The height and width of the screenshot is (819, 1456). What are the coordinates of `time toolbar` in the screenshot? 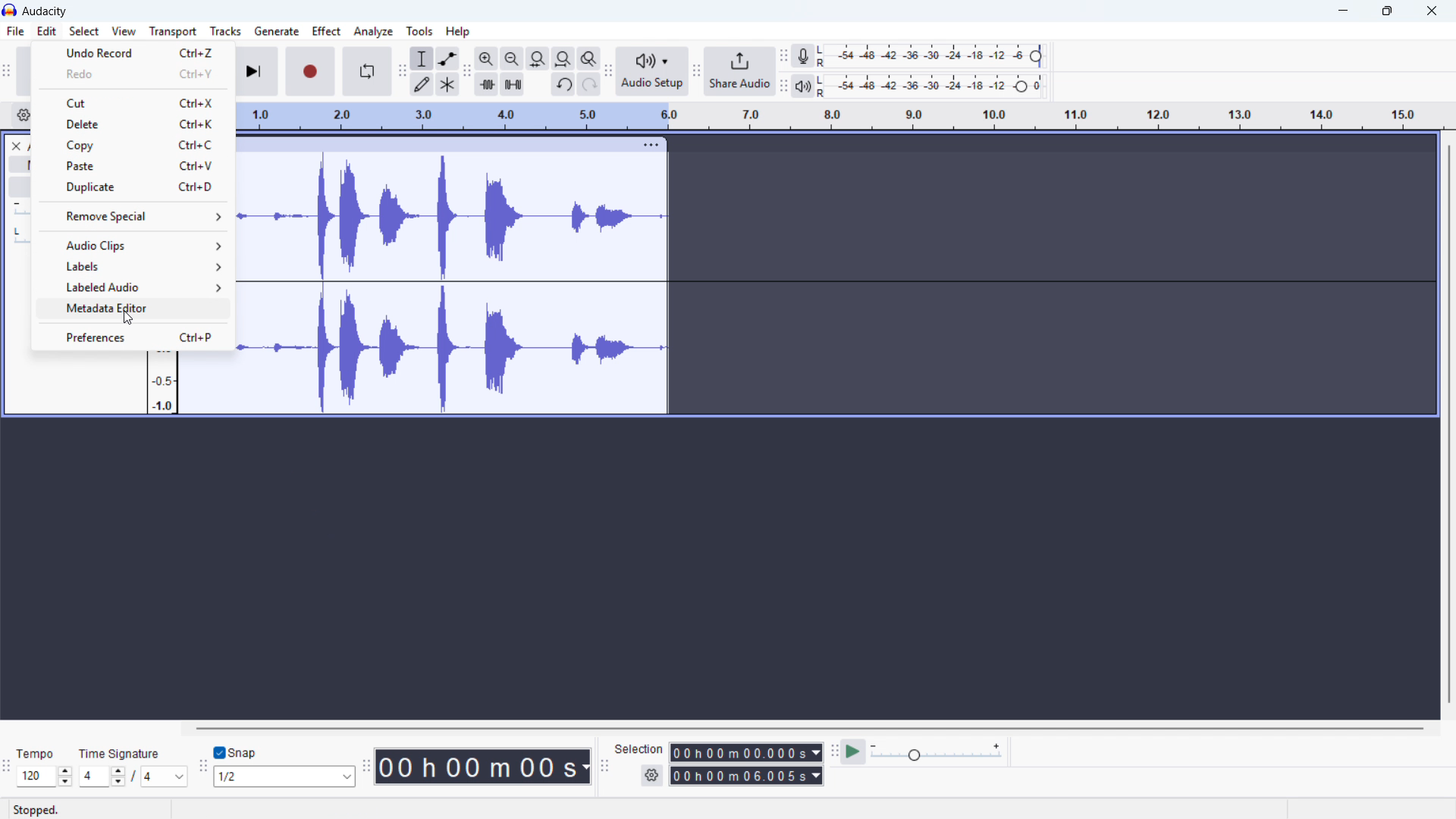 It's located at (366, 767).